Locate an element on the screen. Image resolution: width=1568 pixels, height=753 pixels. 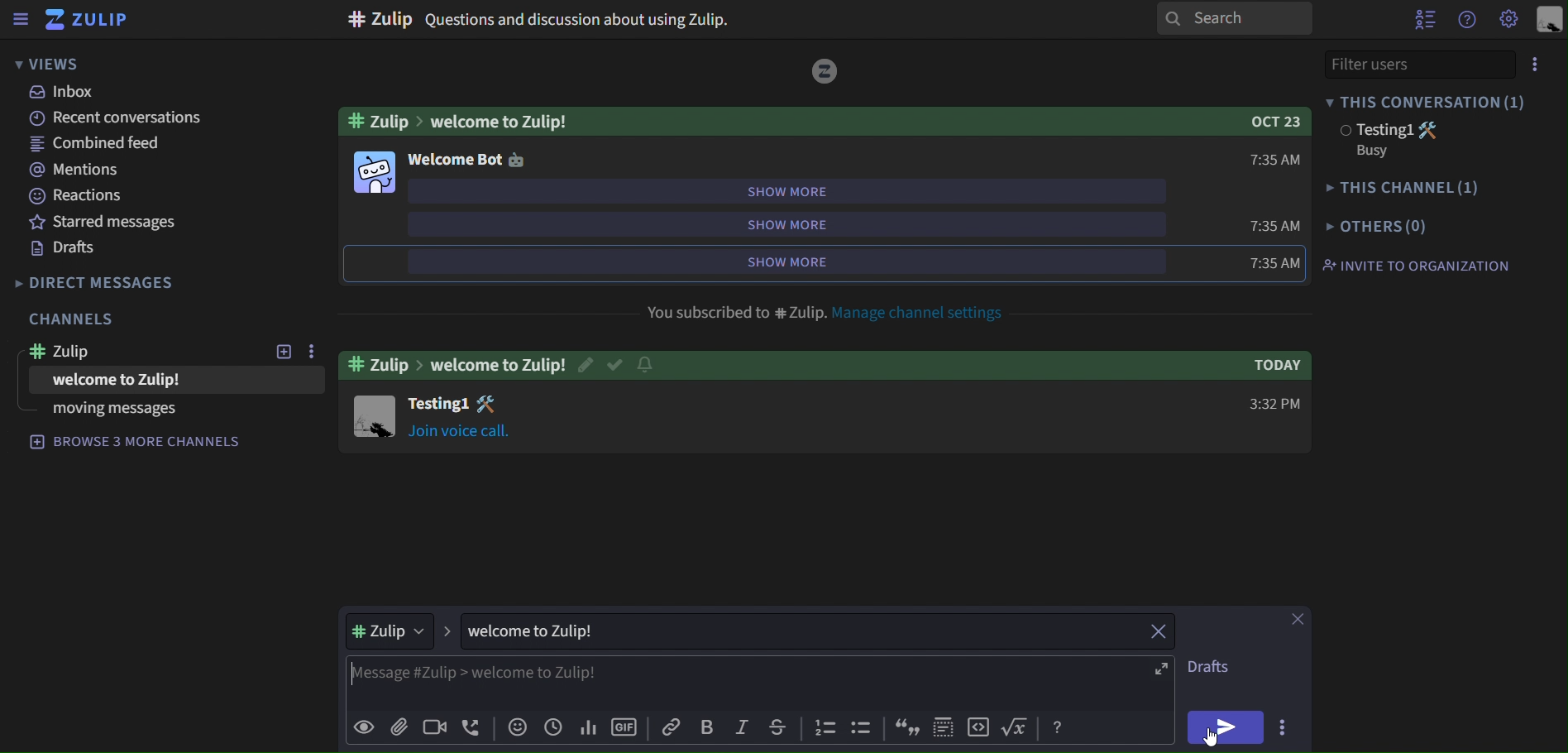
channels is located at coordinates (76, 318).